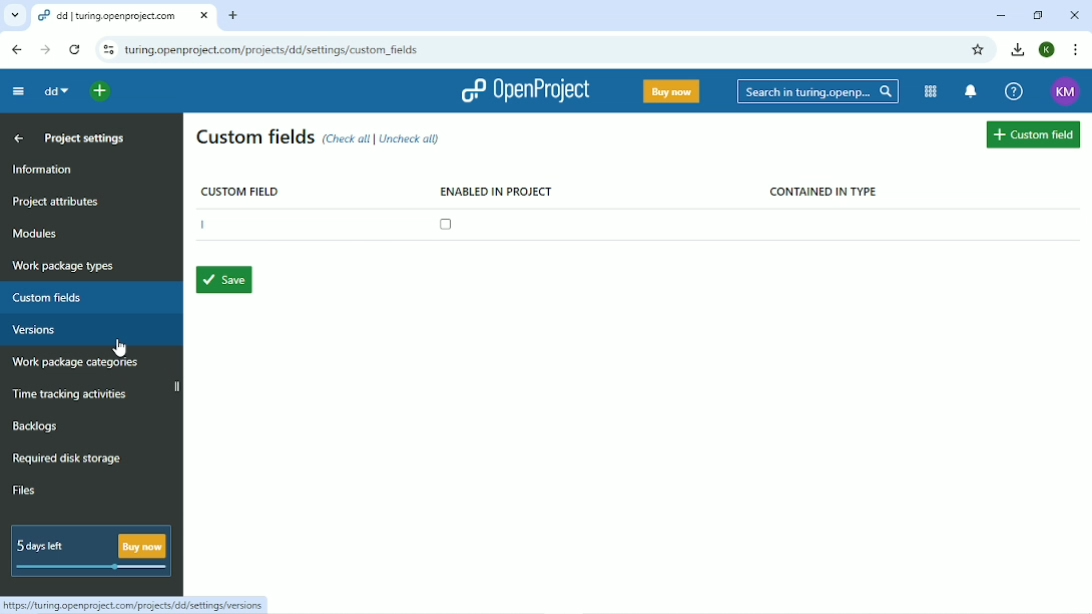 This screenshot has width=1092, height=614. Describe the element at coordinates (99, 92) in the screenshot. I see `Select a project` at that location.